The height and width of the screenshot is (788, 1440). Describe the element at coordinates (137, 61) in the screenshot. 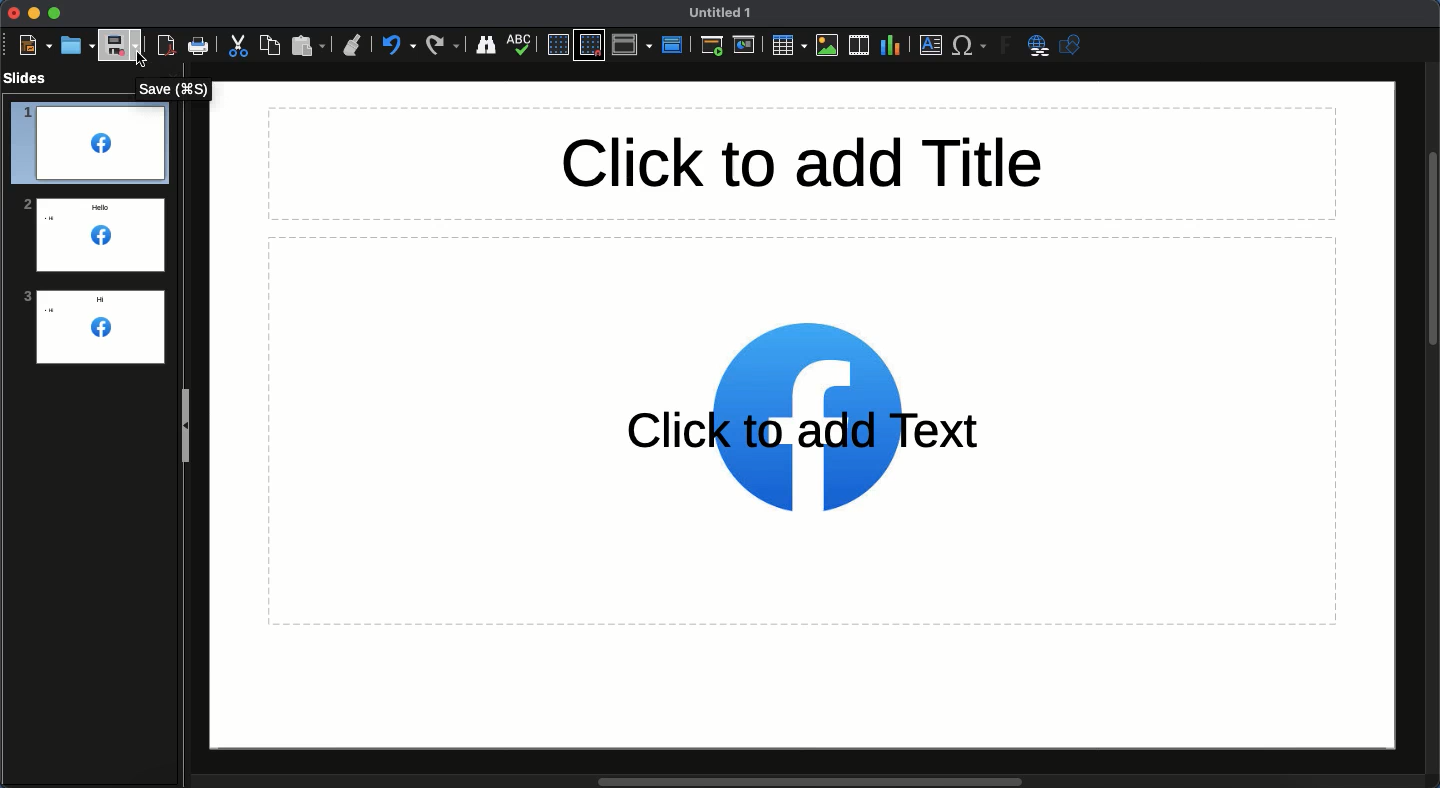

I see `cursor` at that location.